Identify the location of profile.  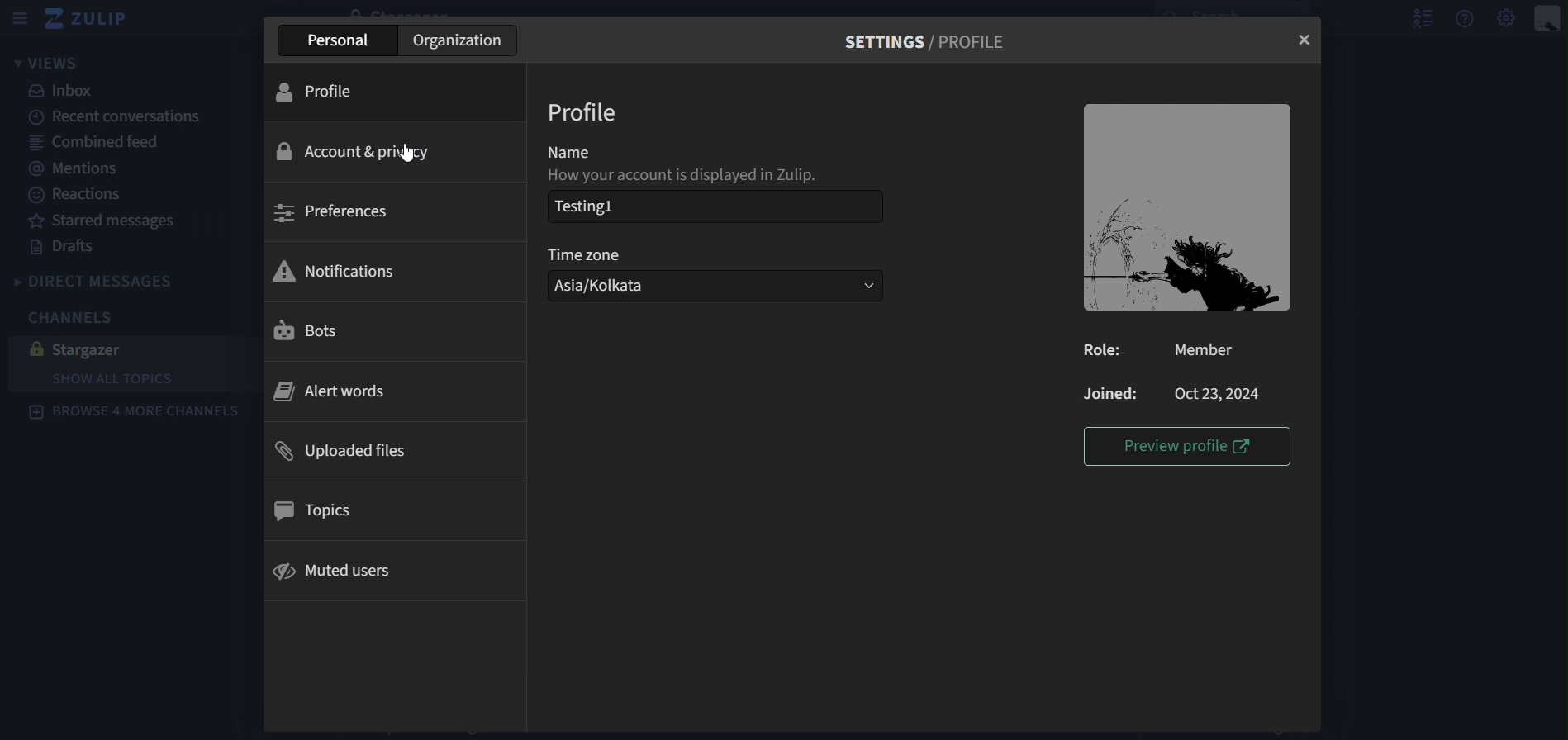
(589, 109).